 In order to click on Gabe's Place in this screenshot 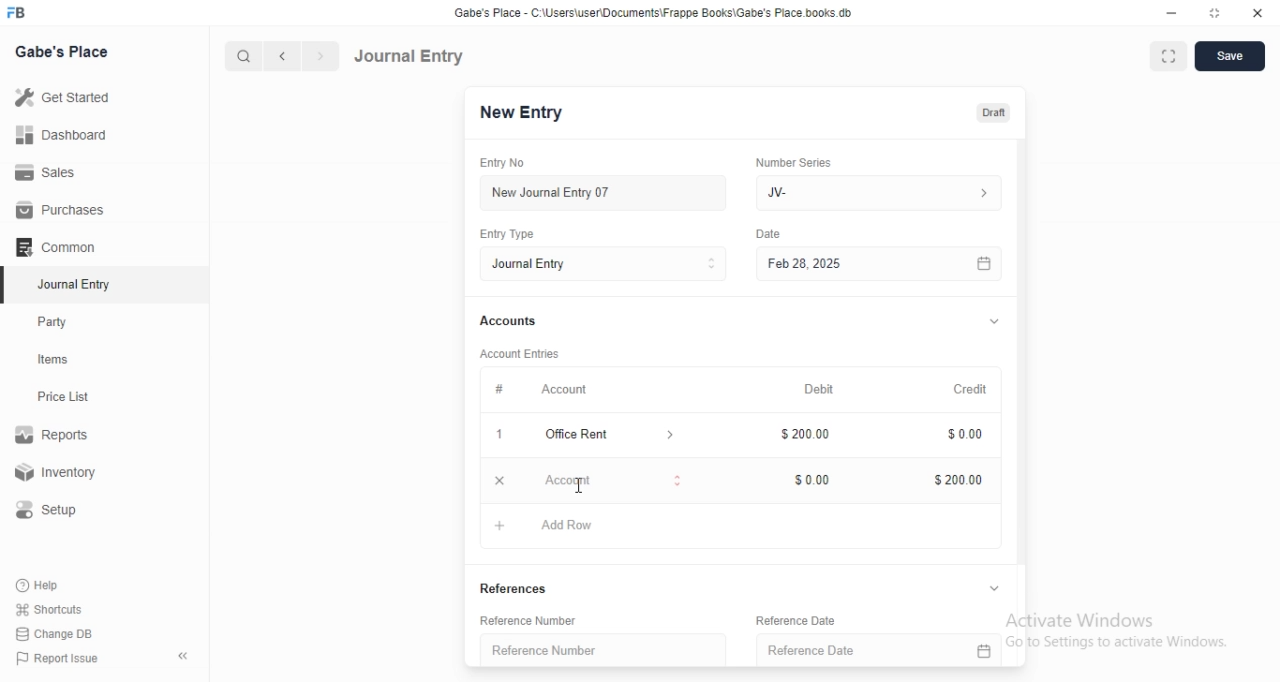, I will do `click(64, 51)`.